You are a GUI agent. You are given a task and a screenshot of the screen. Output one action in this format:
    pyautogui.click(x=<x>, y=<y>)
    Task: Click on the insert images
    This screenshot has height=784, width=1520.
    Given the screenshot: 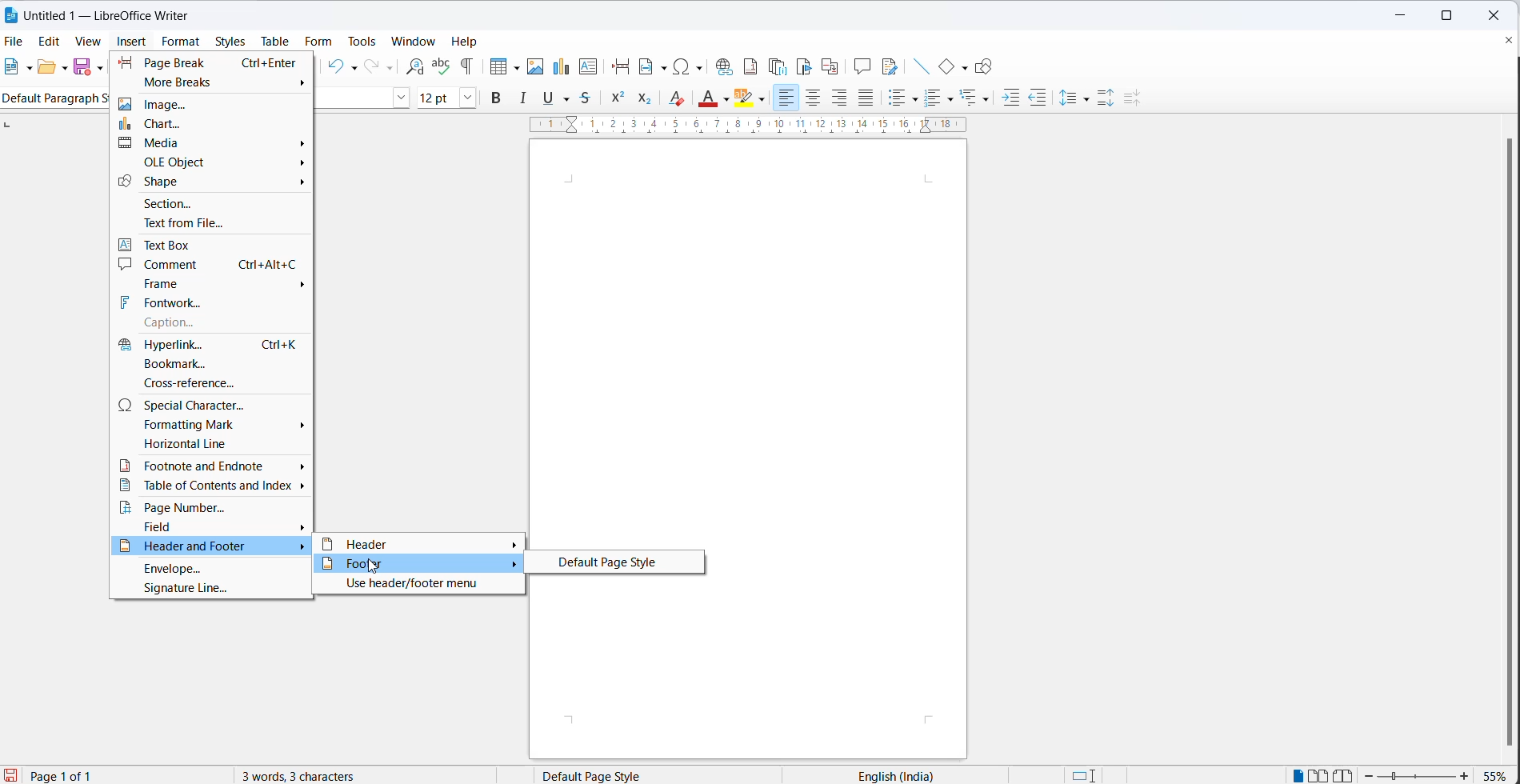 What is the action you would take?
    pyautogui.click(x=535, y=68)
    